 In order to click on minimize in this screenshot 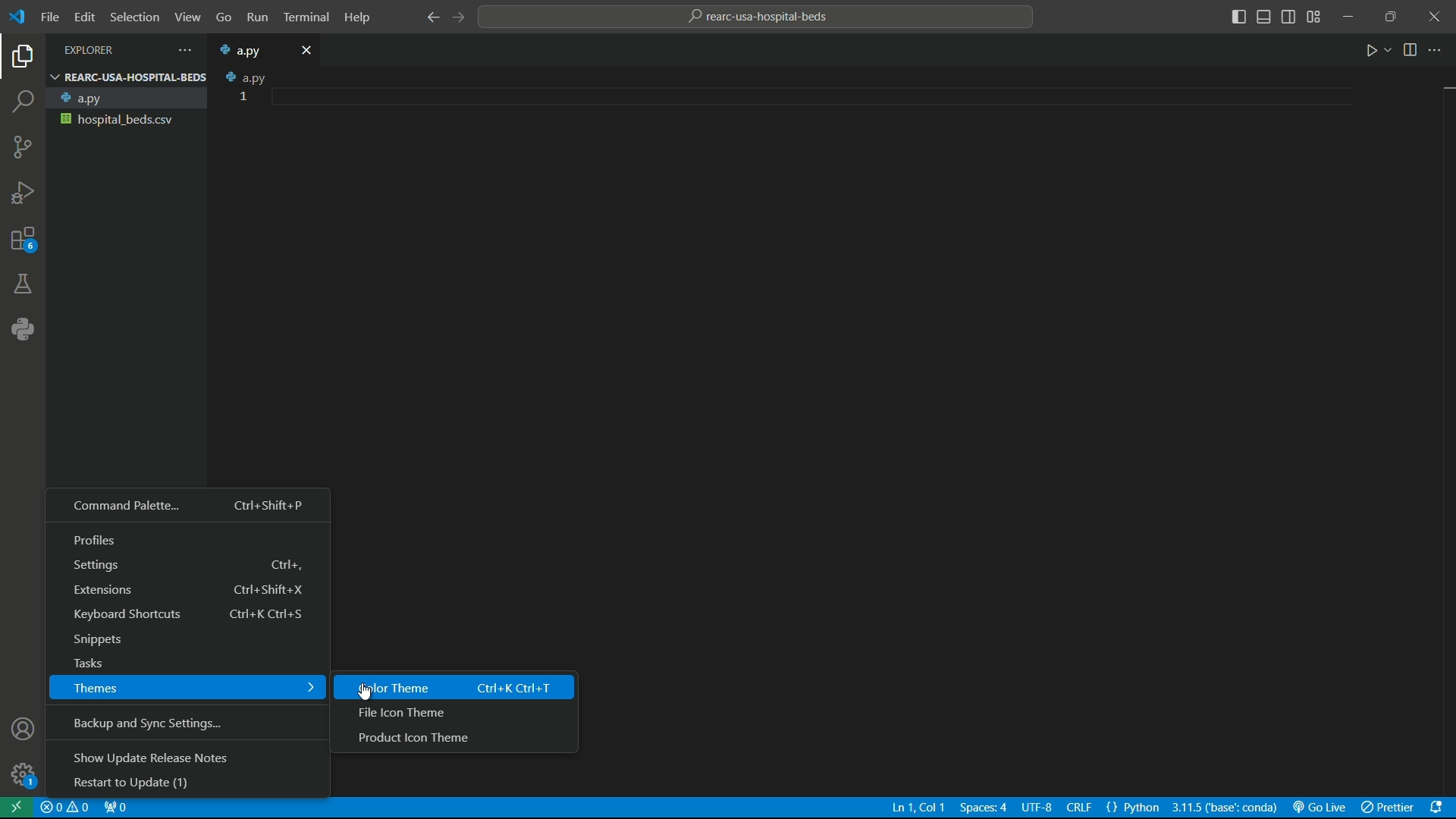, I will do `click(1350, 16)`.